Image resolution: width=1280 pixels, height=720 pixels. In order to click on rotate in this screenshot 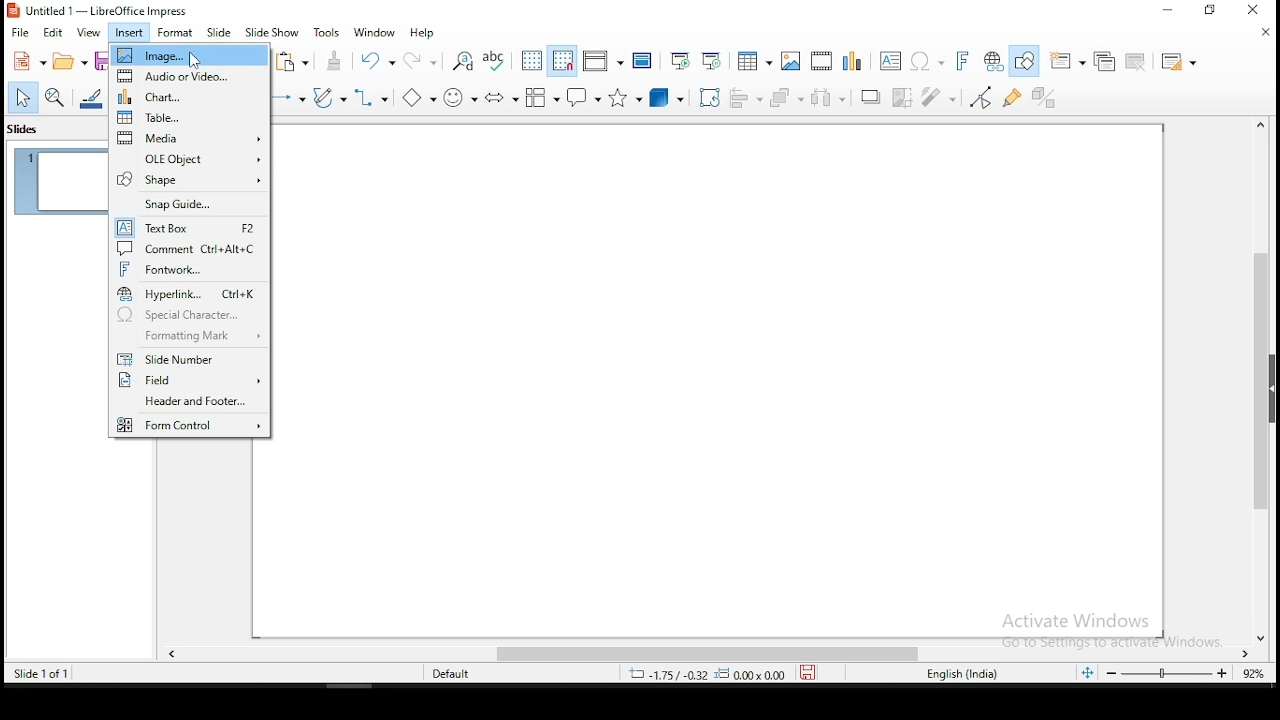, I will do `click(708, 96)`.